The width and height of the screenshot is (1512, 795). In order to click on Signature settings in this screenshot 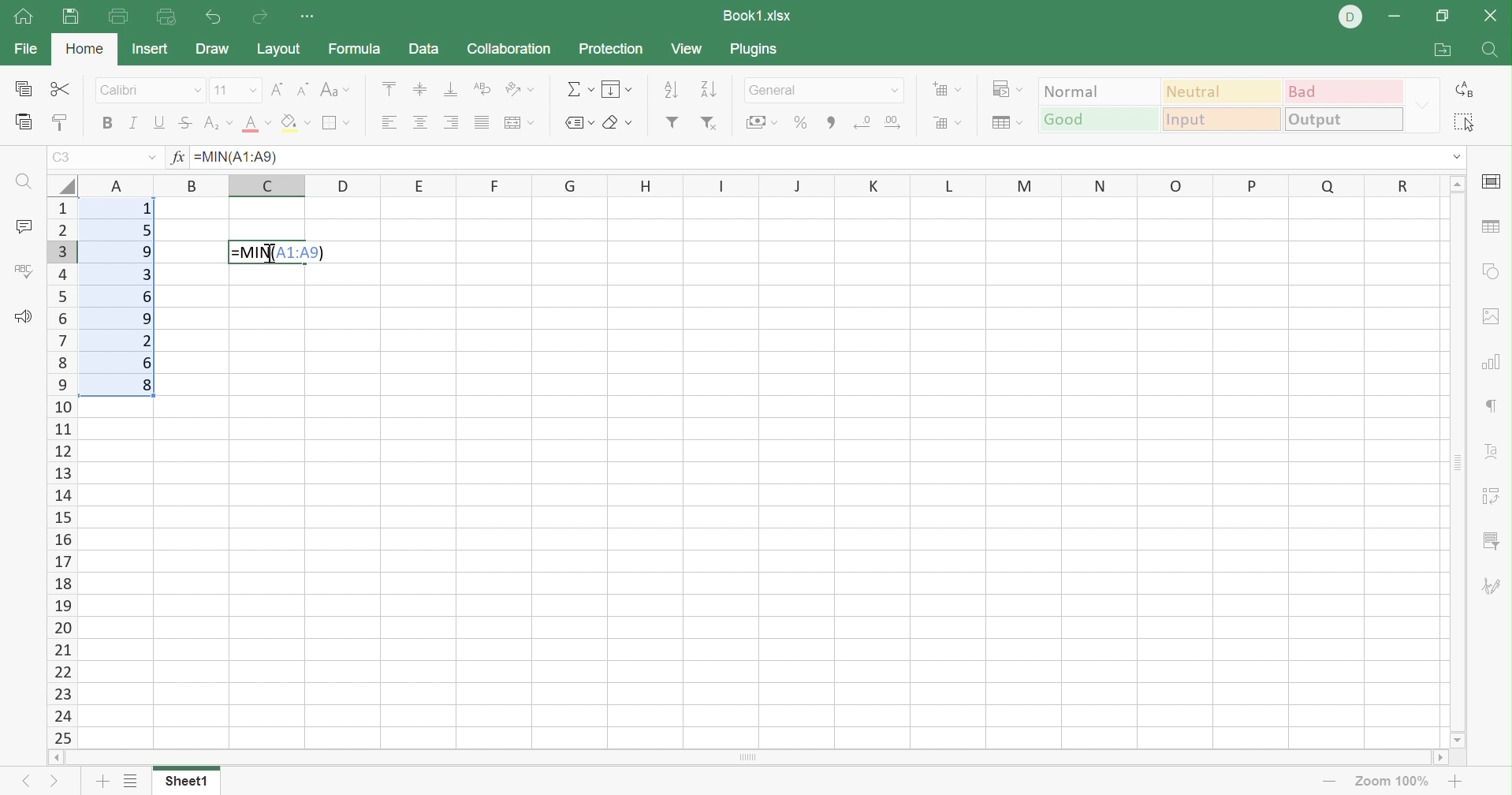, I will do `click(1494, 585)`.